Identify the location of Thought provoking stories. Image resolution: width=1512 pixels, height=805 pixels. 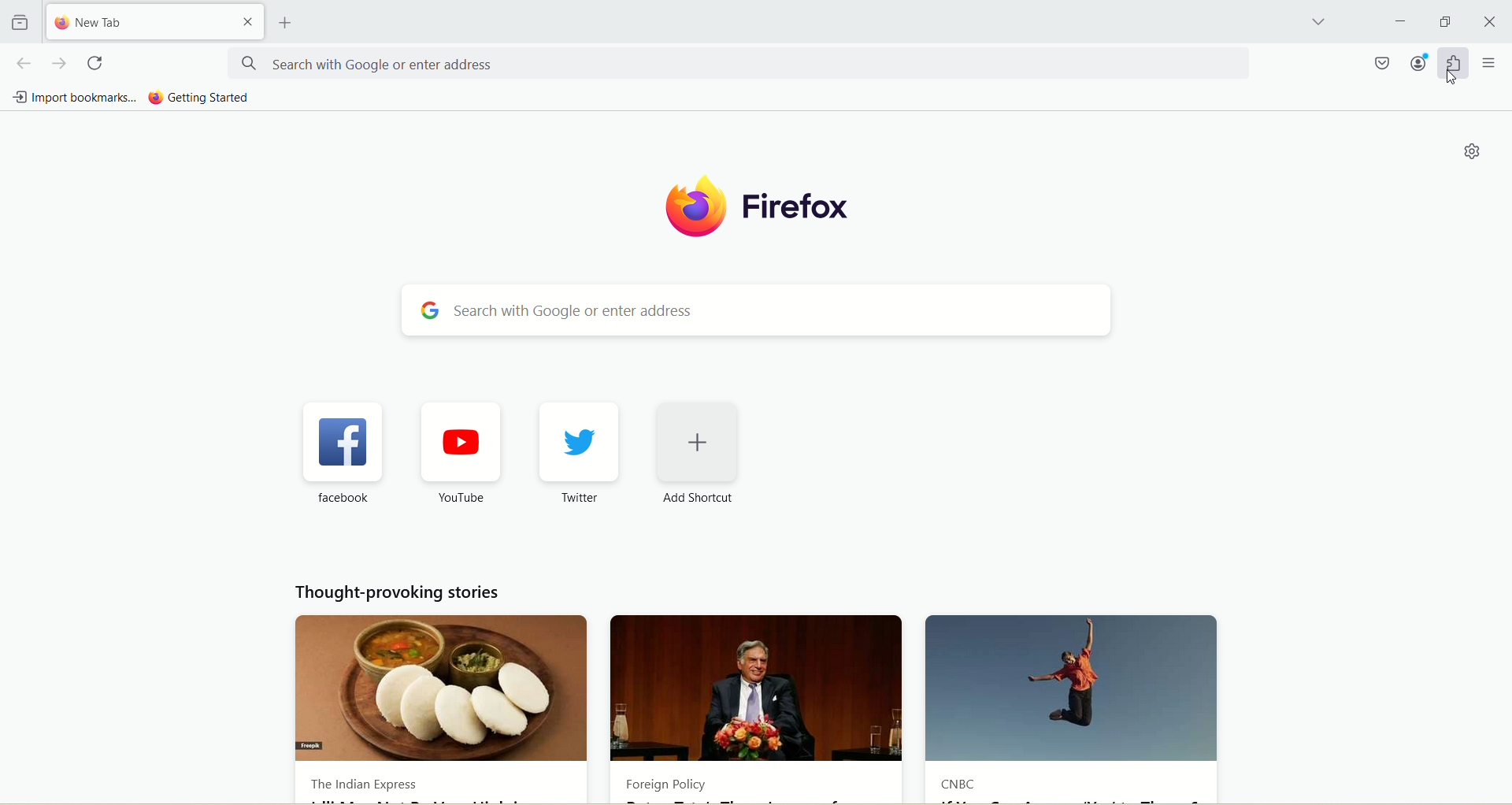
(397, 592).